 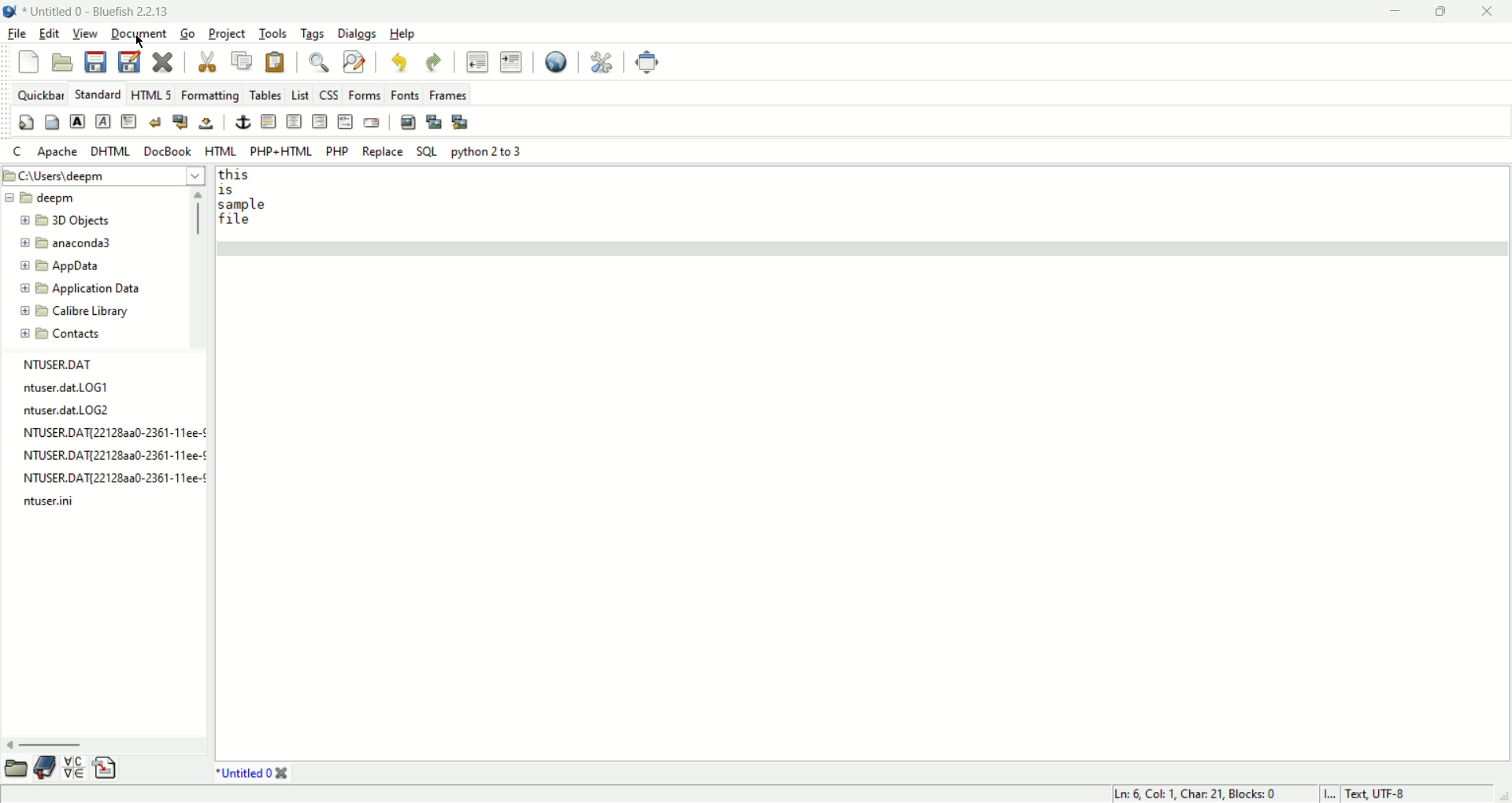 What do you see at coordinates (209, 121) in the screenshot?
I see `non breaking space` at bounding box center [209, 121].